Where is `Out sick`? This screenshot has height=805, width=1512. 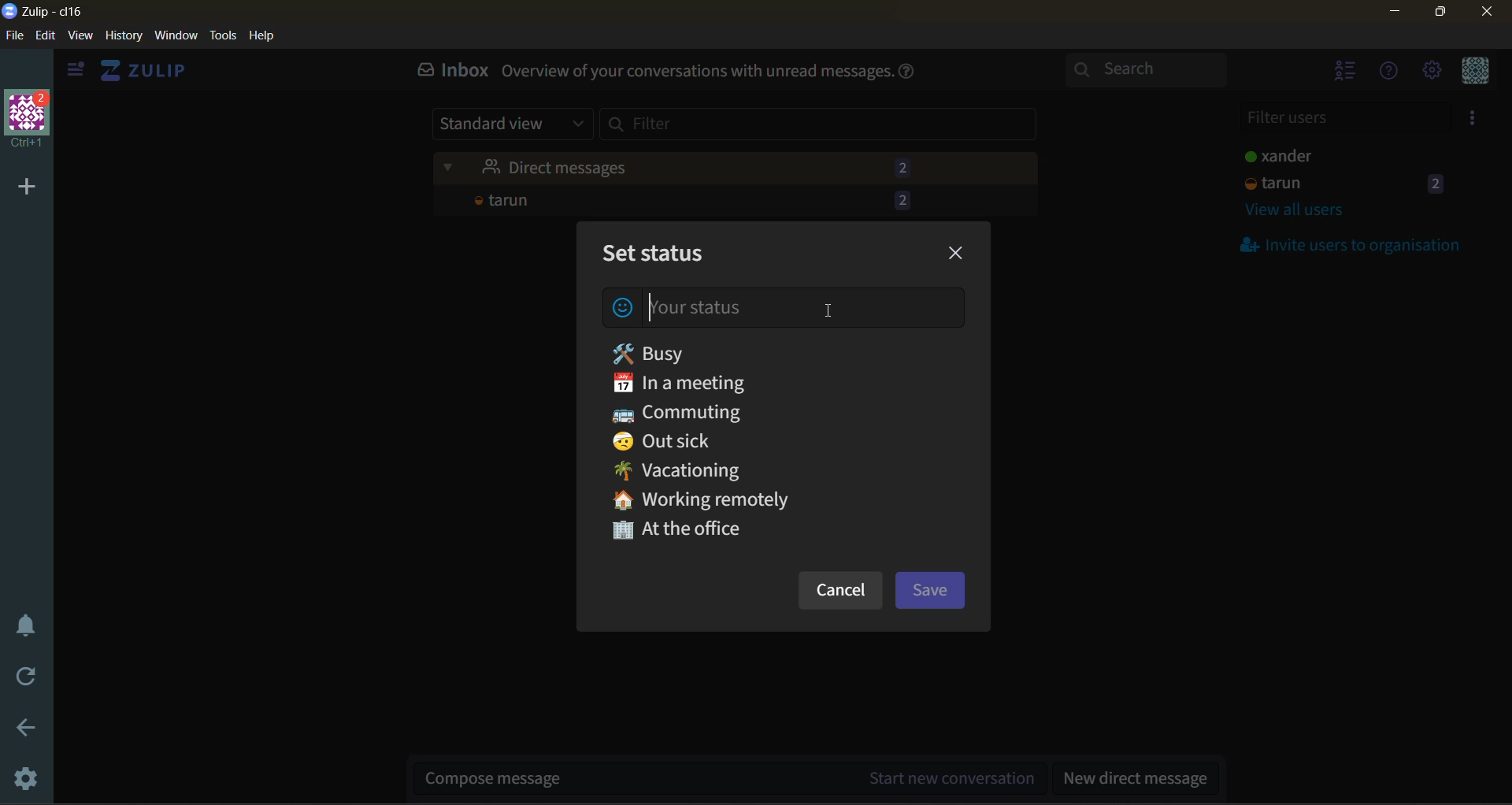 Out sick is located at coordinates (680, 440).